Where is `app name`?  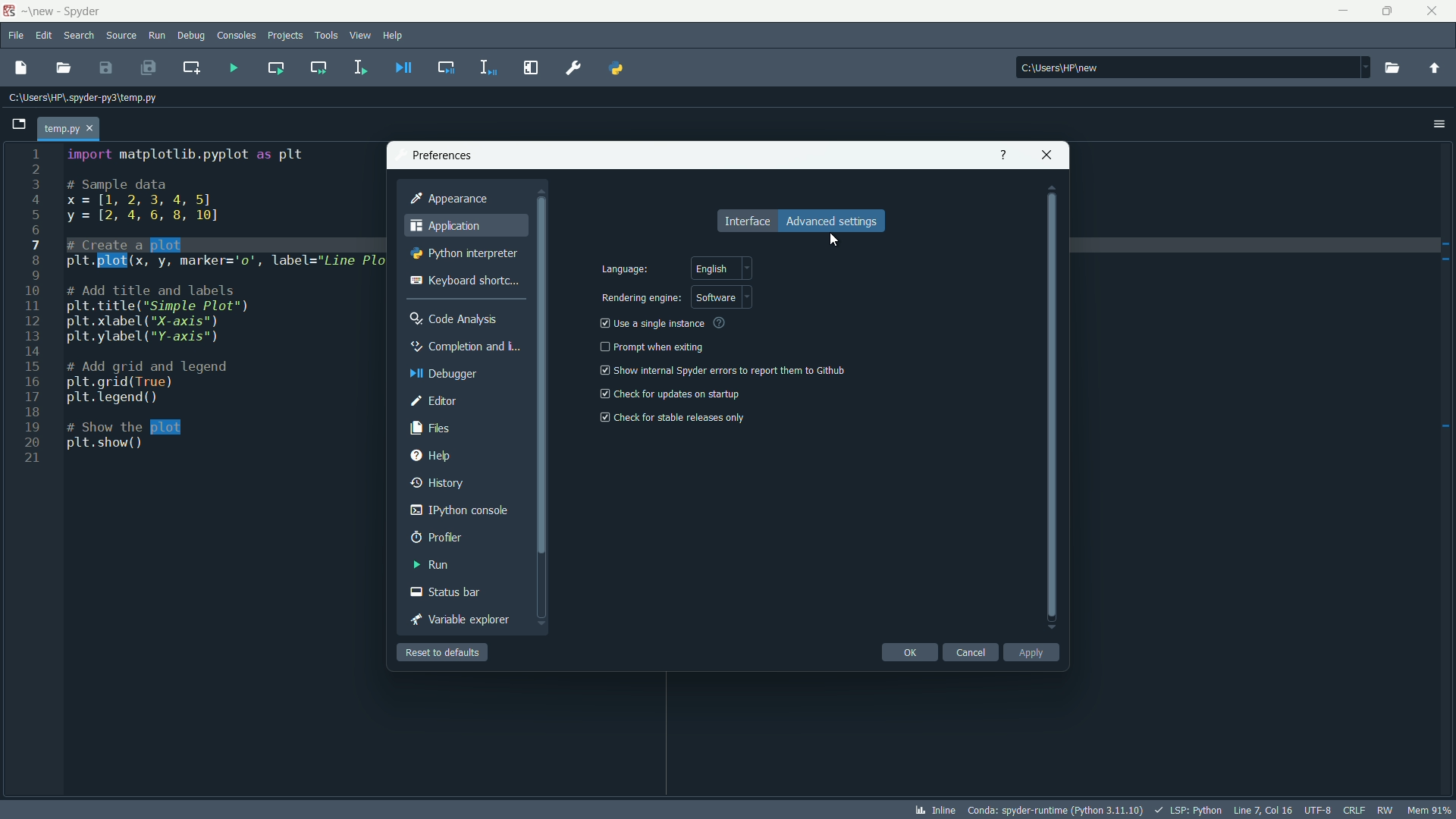
app name is located at coordinates (84, 12).